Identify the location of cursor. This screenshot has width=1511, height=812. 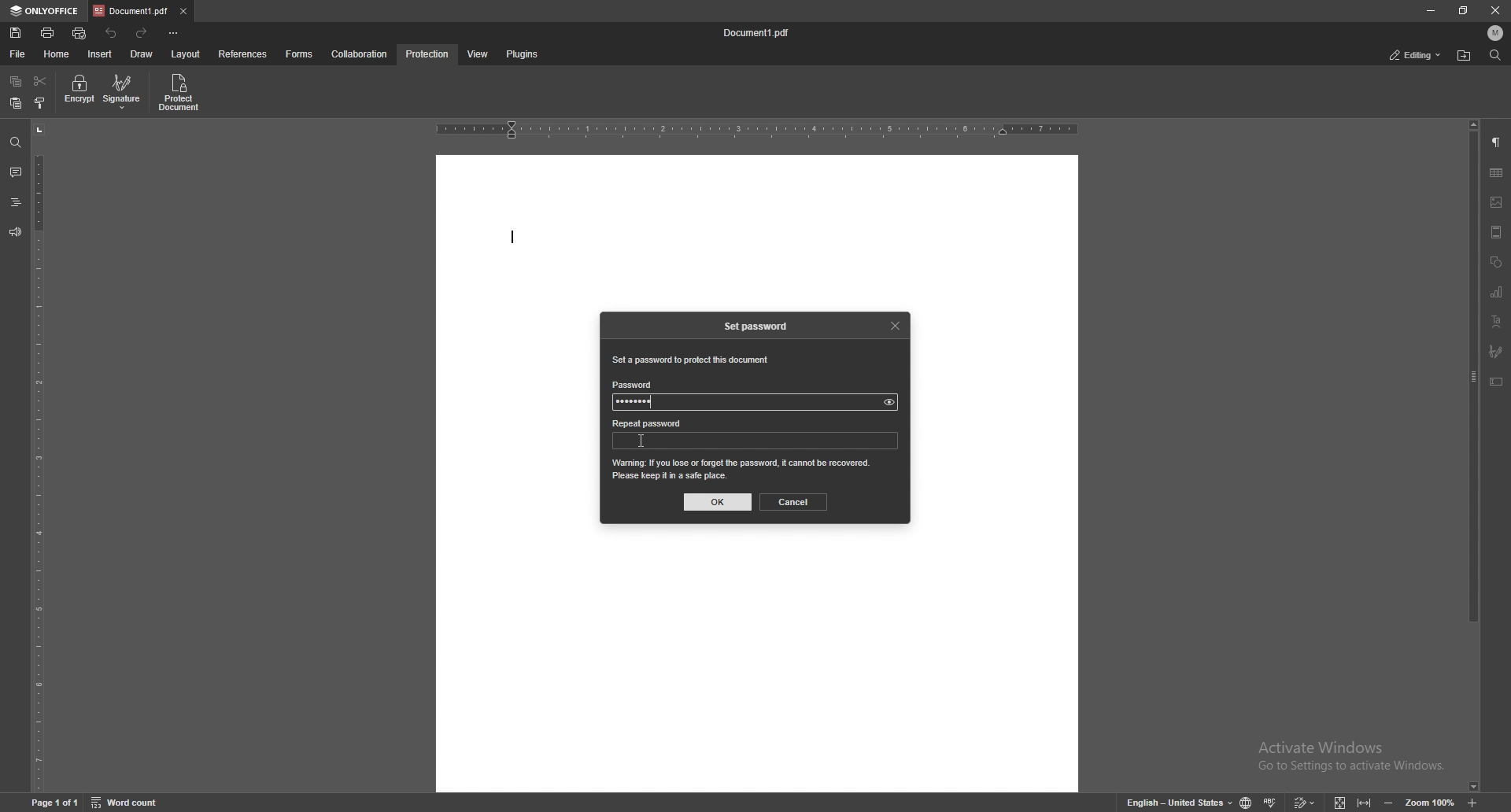
(642, 441).